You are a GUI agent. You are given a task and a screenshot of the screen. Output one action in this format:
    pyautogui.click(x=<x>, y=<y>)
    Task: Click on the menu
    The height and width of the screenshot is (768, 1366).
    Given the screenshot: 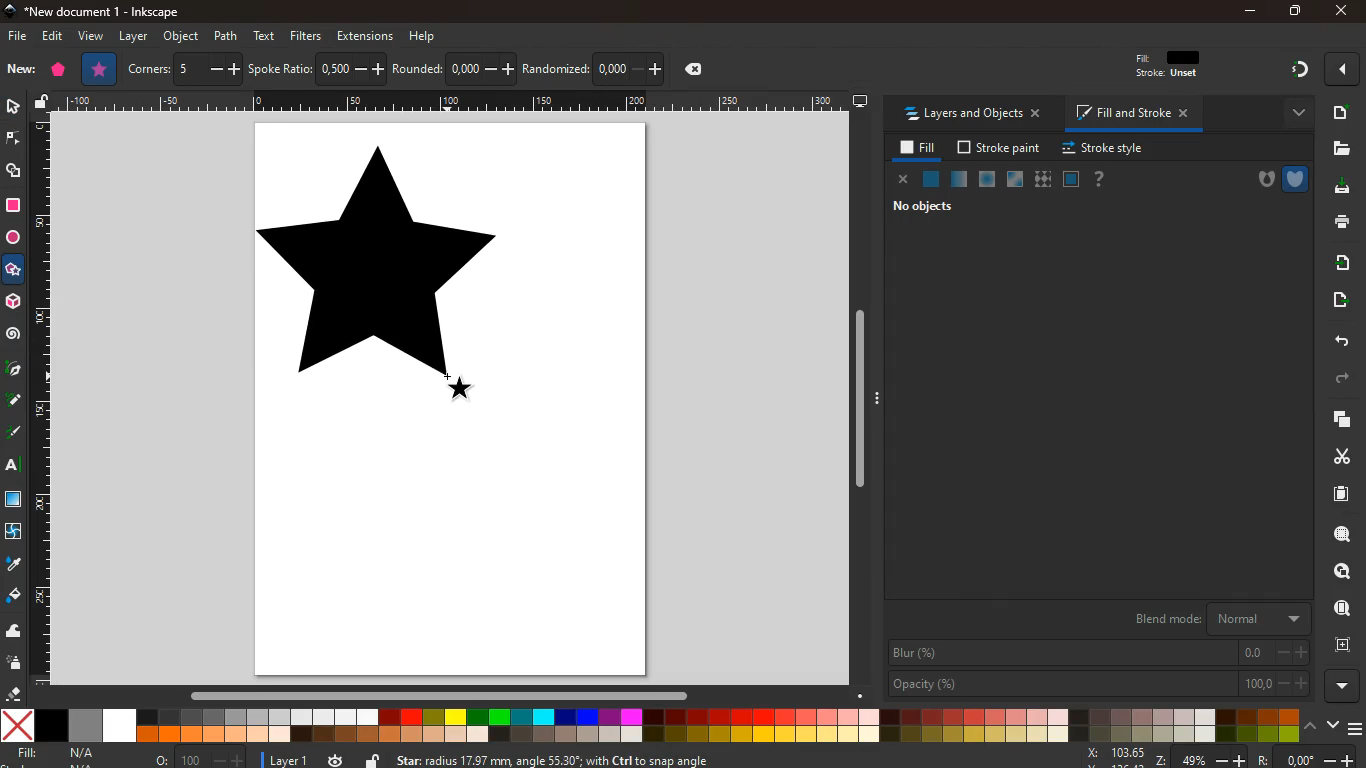 What is the action you would take?
    pyautogui.click(x=1356, y=728)
    